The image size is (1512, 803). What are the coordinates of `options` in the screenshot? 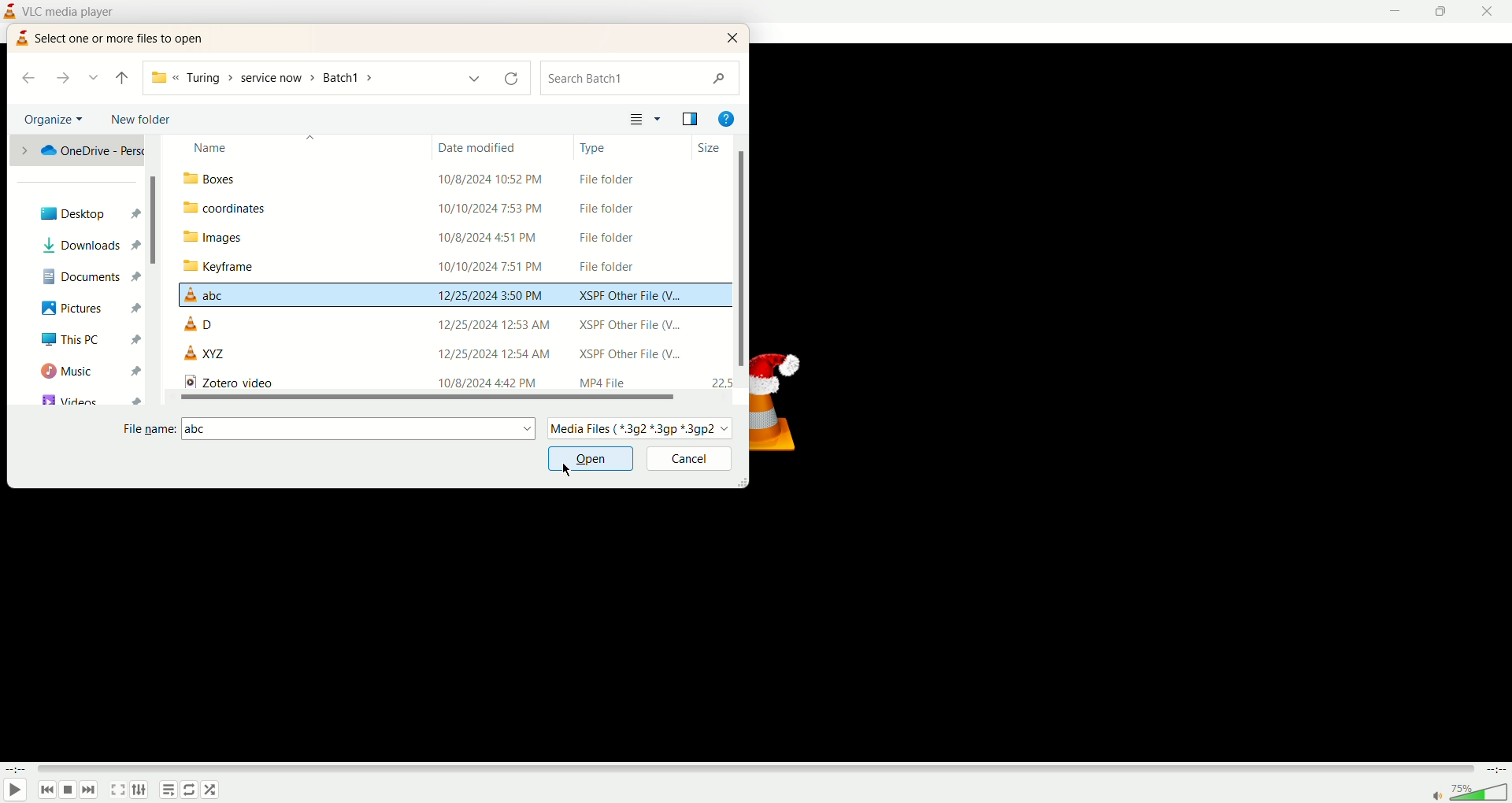 It's located at (659, 119).